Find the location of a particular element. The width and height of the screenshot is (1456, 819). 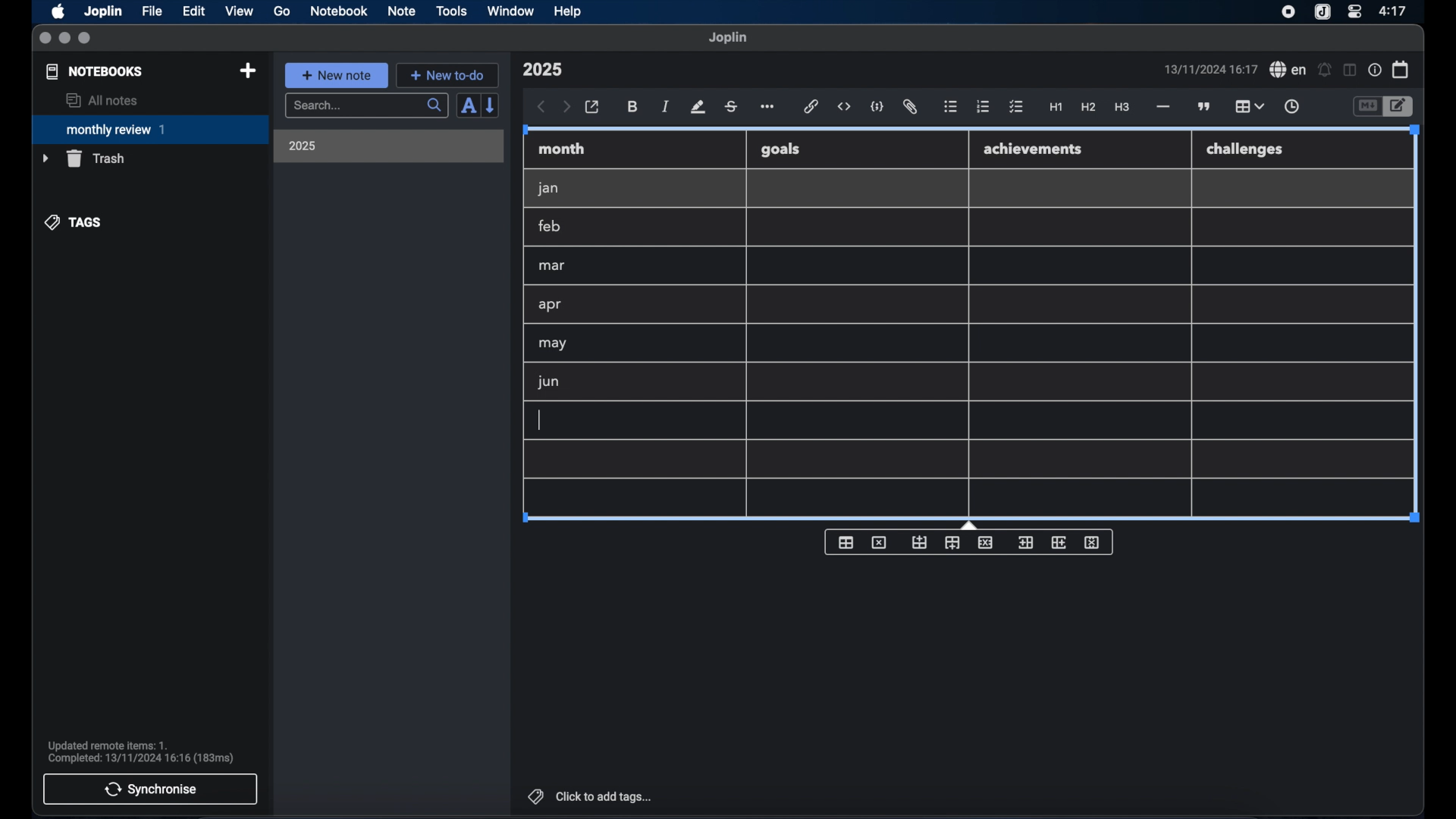

goals is located at coordinates (780, 149).